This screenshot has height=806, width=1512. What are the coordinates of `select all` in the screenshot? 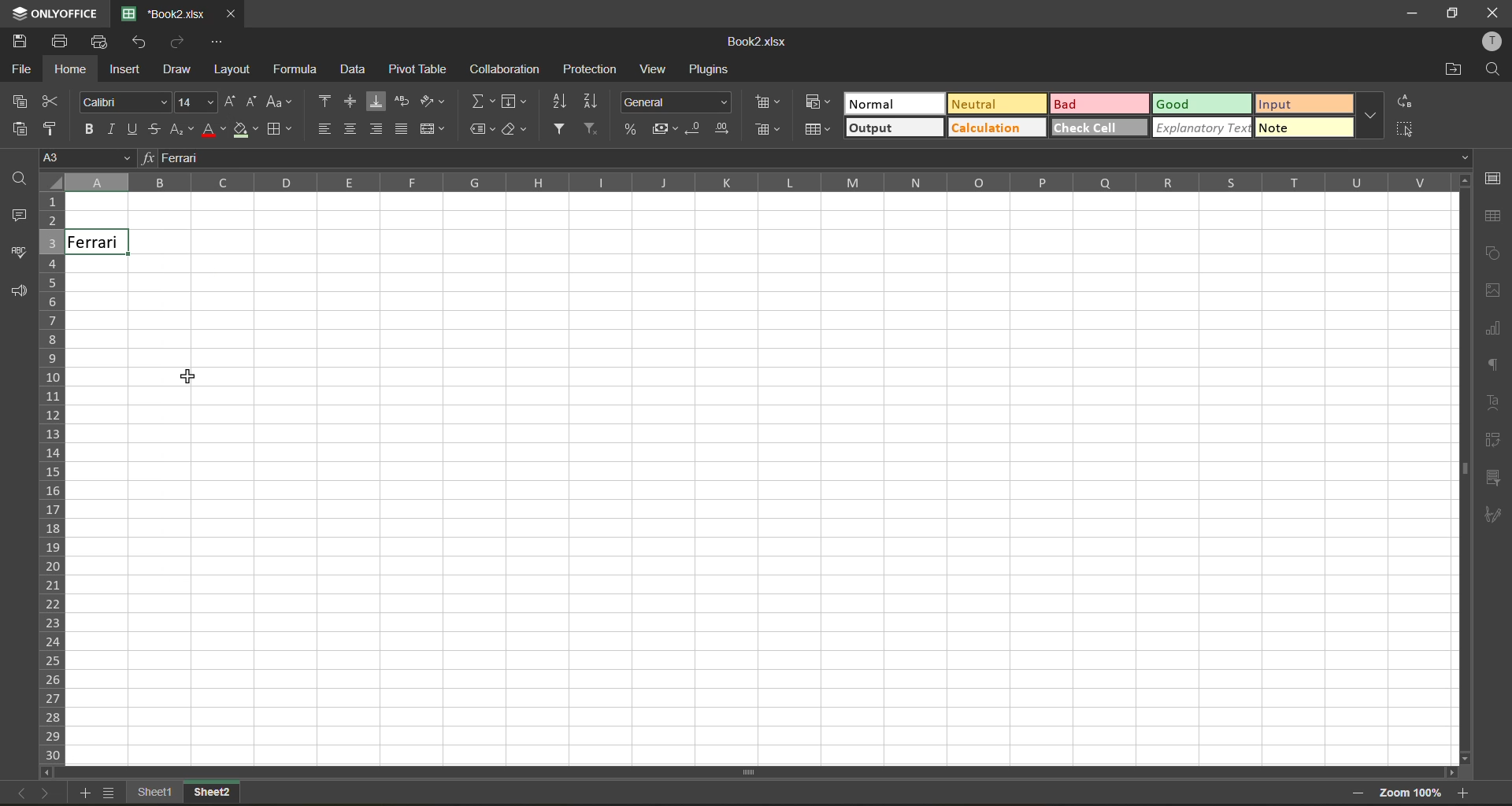 It's located at (1404, 129).